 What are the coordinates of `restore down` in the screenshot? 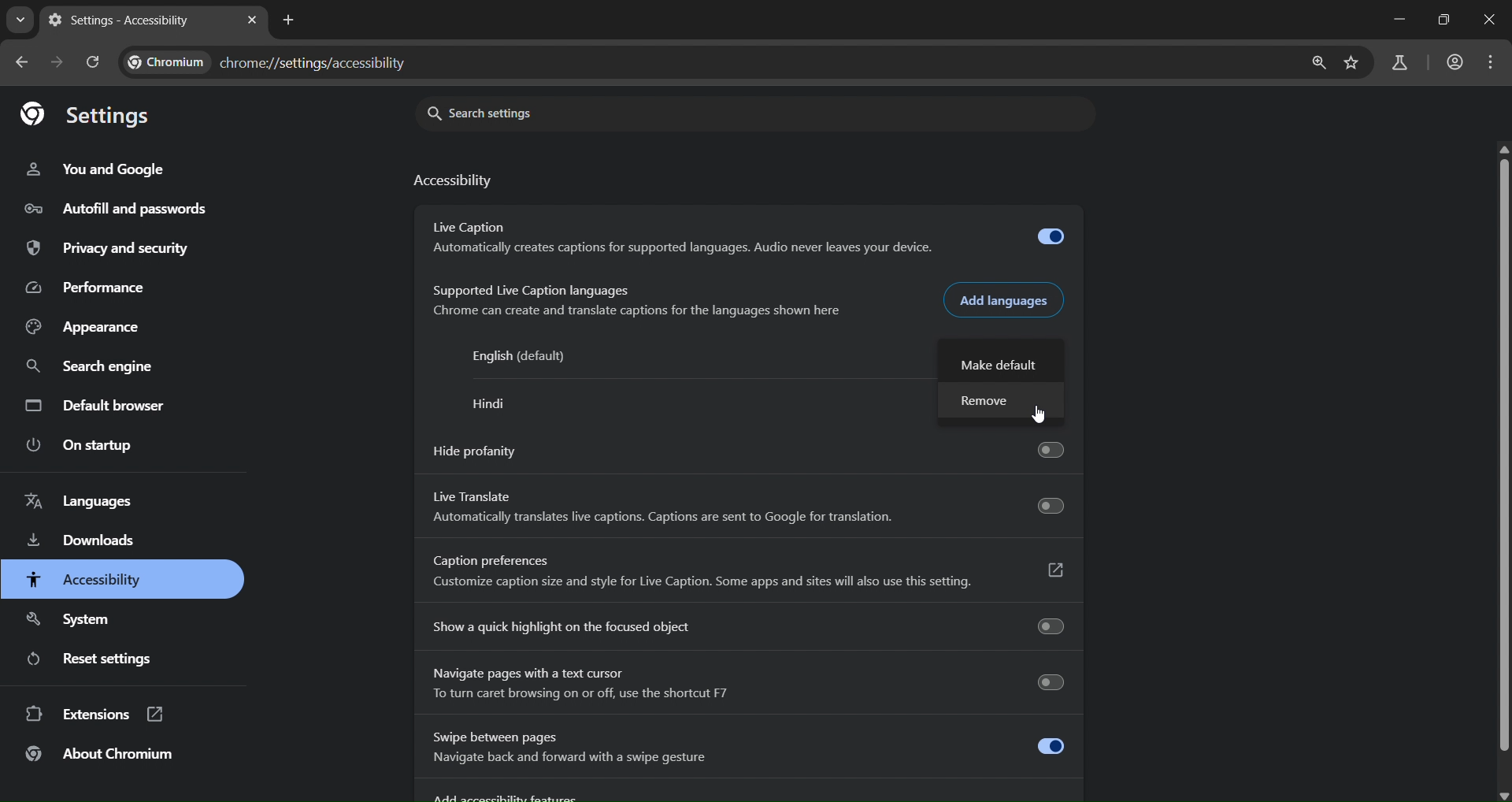 It's located at (1449, 18).